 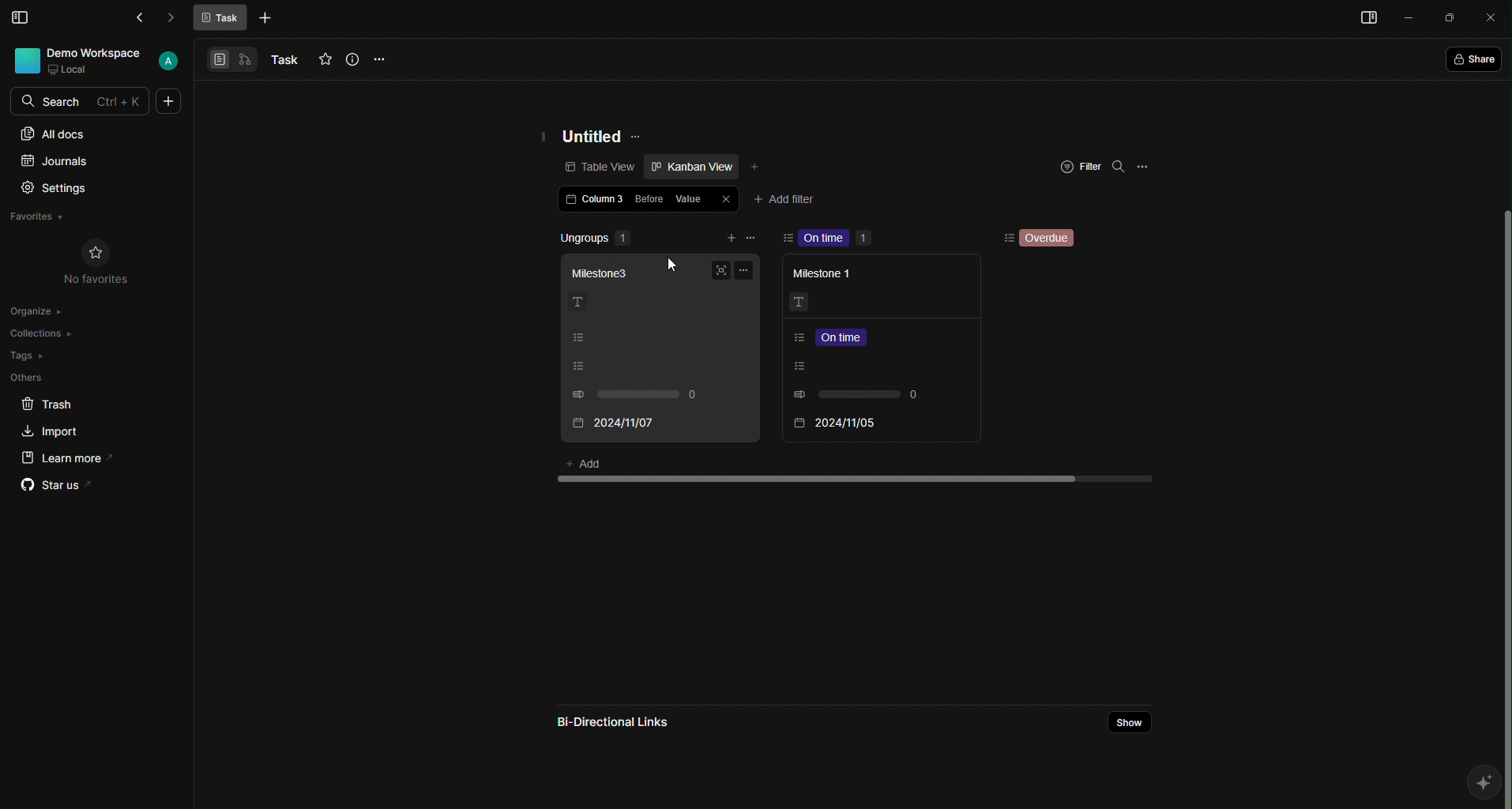 What do you see at coordinates (31, 356) in the screenshot?
I see `Tags` at bounding box center [31, 356].